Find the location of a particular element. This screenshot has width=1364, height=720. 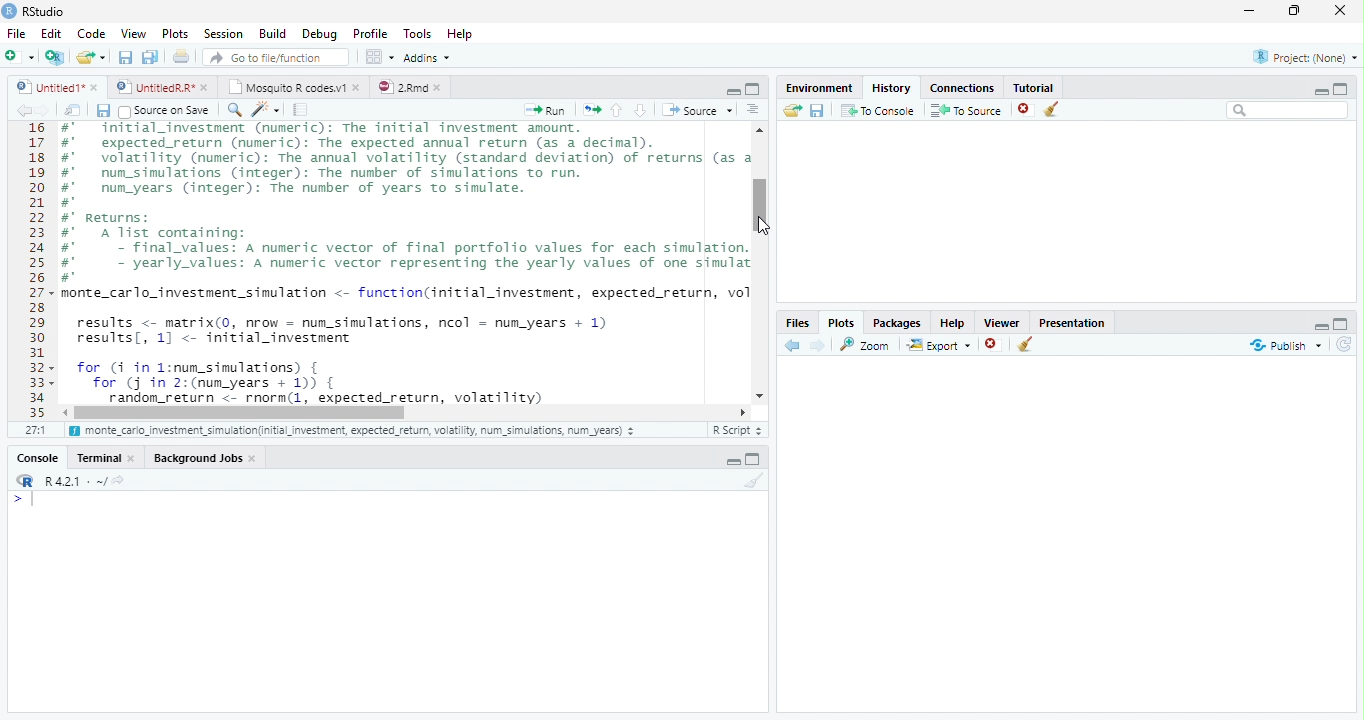

Full Height is located at coordinates (1342, 87).